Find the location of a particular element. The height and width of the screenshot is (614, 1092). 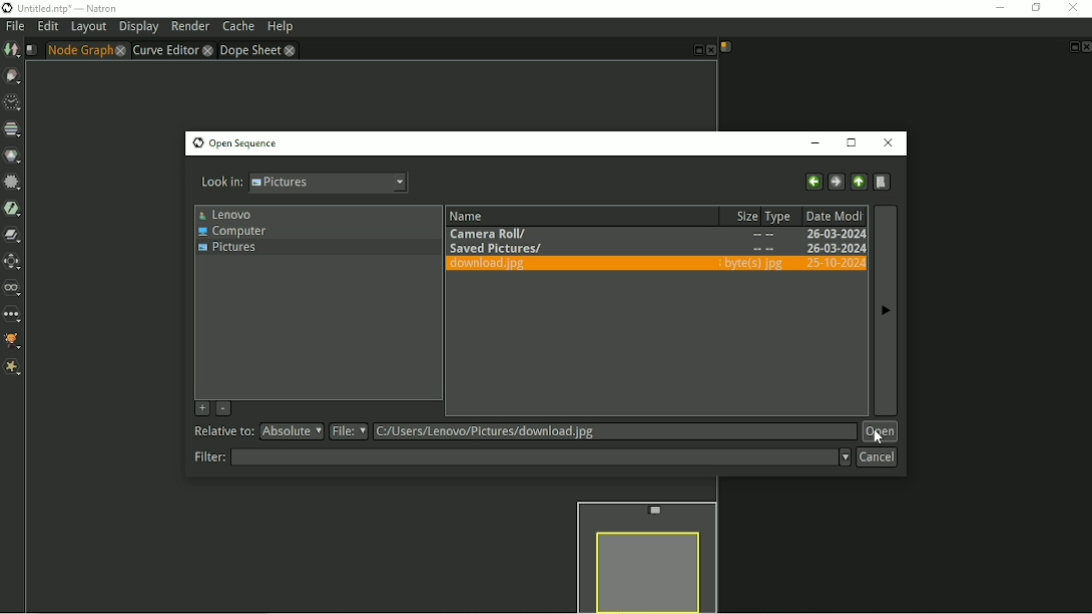

Filter is located at coordinates (521, 457).